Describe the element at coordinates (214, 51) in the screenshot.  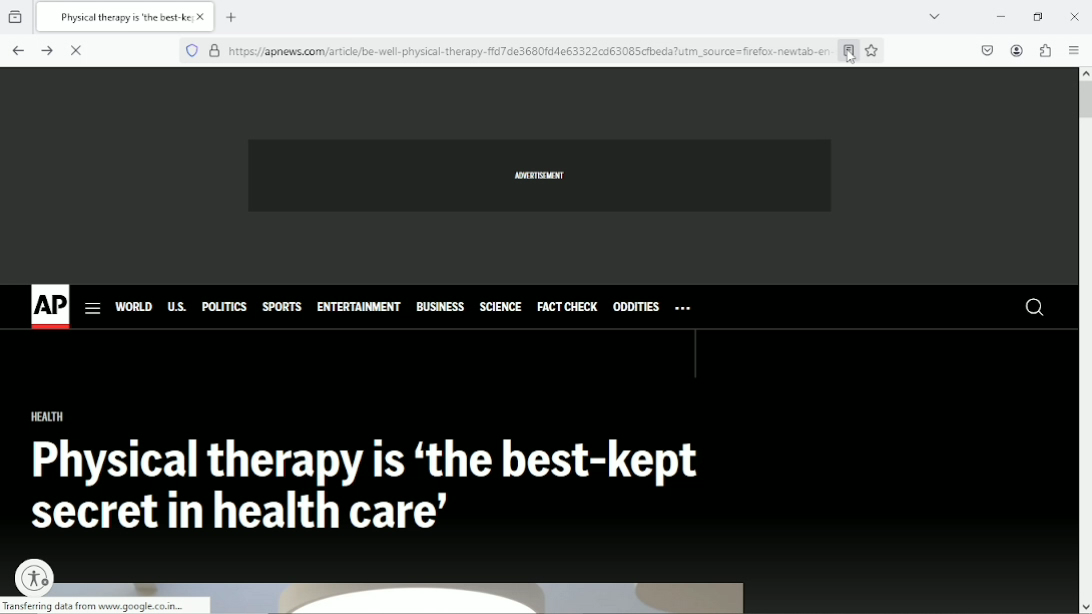
I see `verified by google trust service` at that location.